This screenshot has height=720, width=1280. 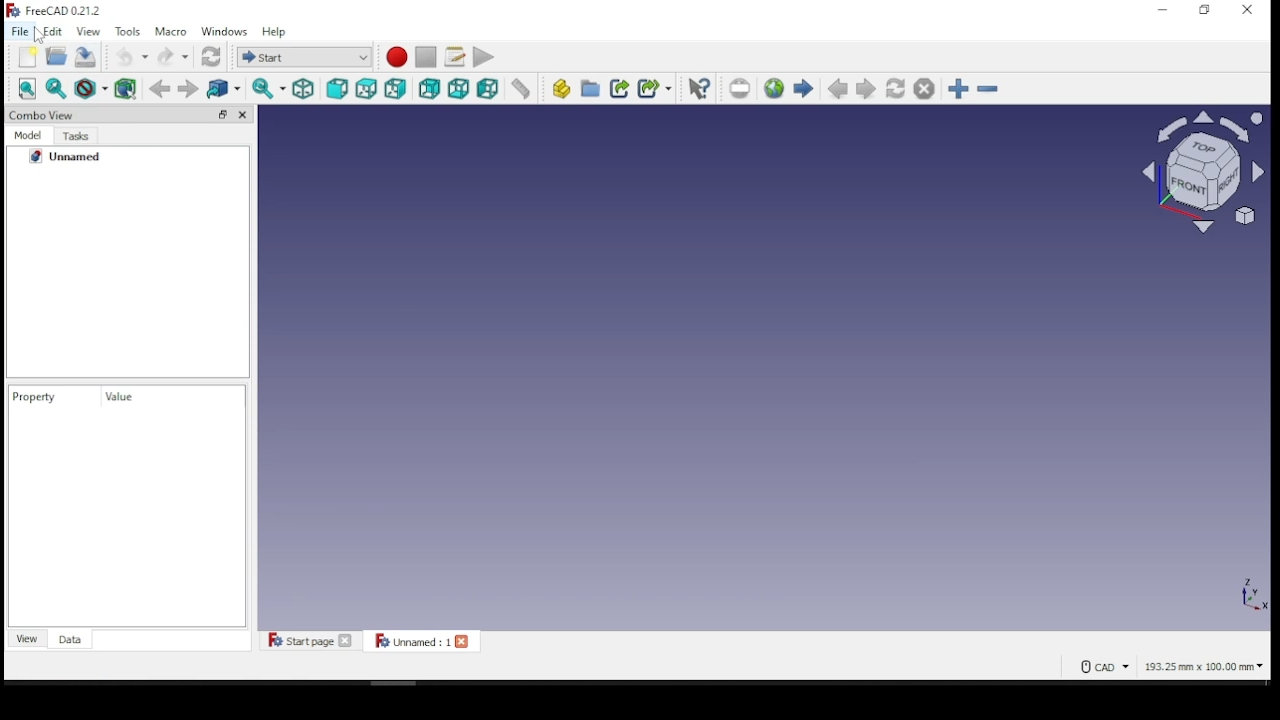 I want to click on make sub link, so click(x=655, y=88).